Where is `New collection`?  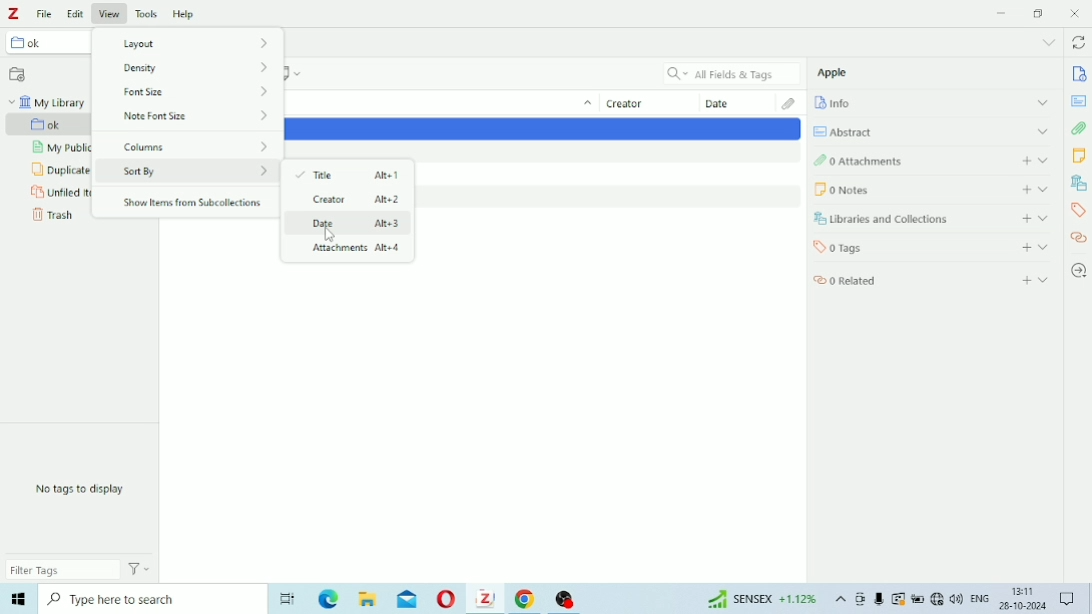
New collection is located at coordinates (18, 73).